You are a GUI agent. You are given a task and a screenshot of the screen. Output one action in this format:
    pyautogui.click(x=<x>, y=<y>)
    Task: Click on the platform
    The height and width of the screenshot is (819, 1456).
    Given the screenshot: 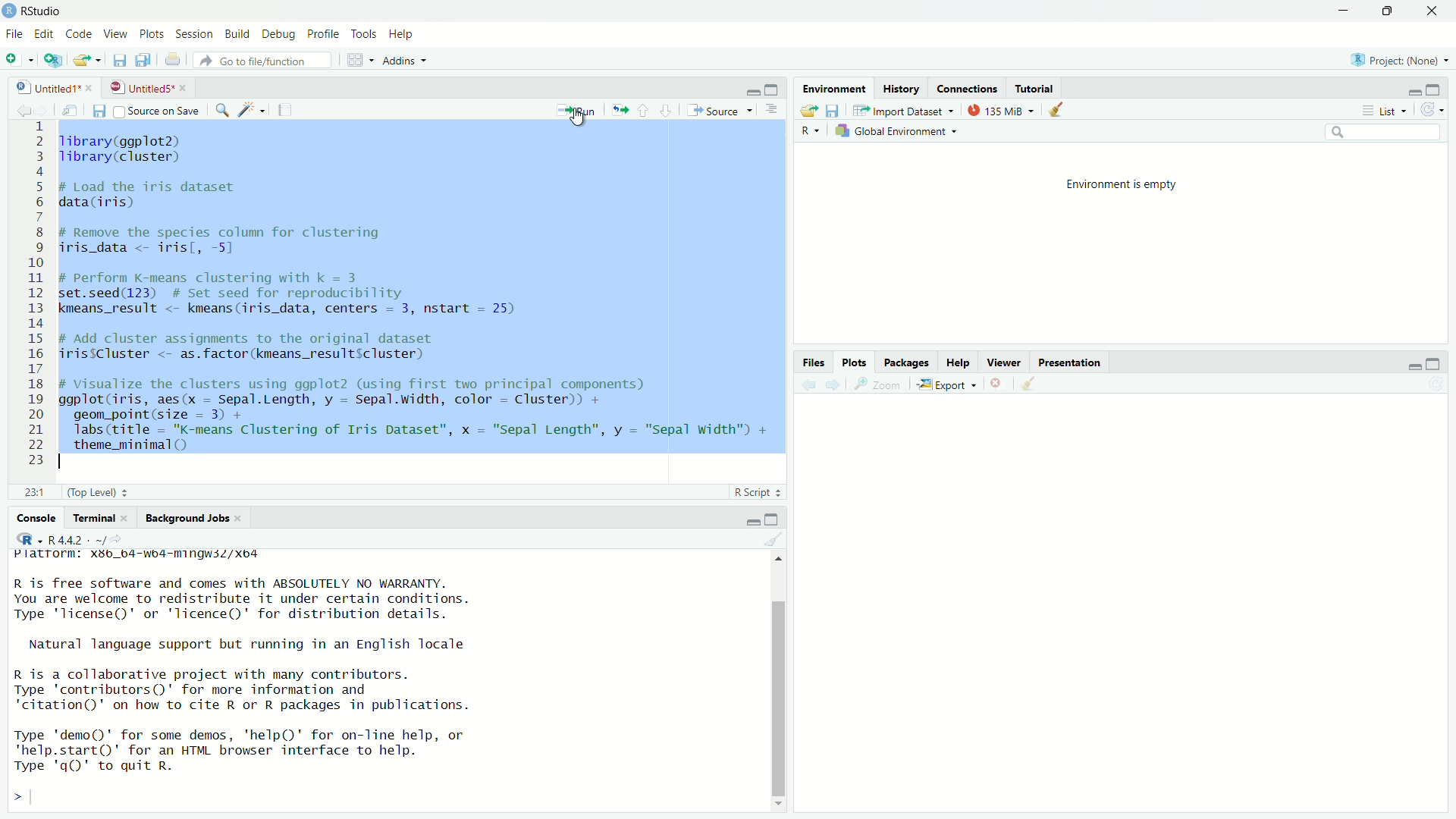 What is the action you would take?
    pyautogui.click(x=132, y=558)
    